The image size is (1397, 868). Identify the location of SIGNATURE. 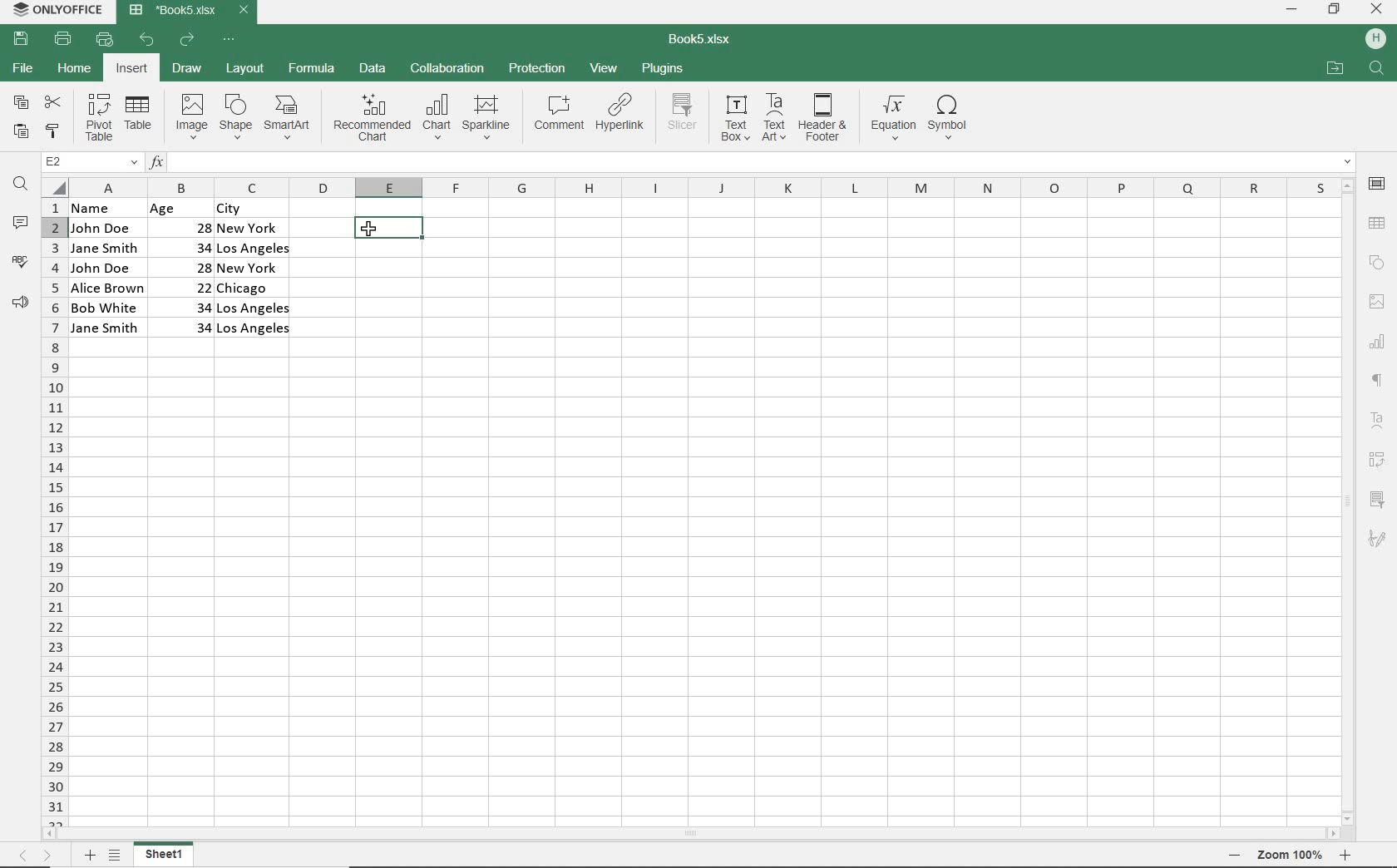
(1378, 540).